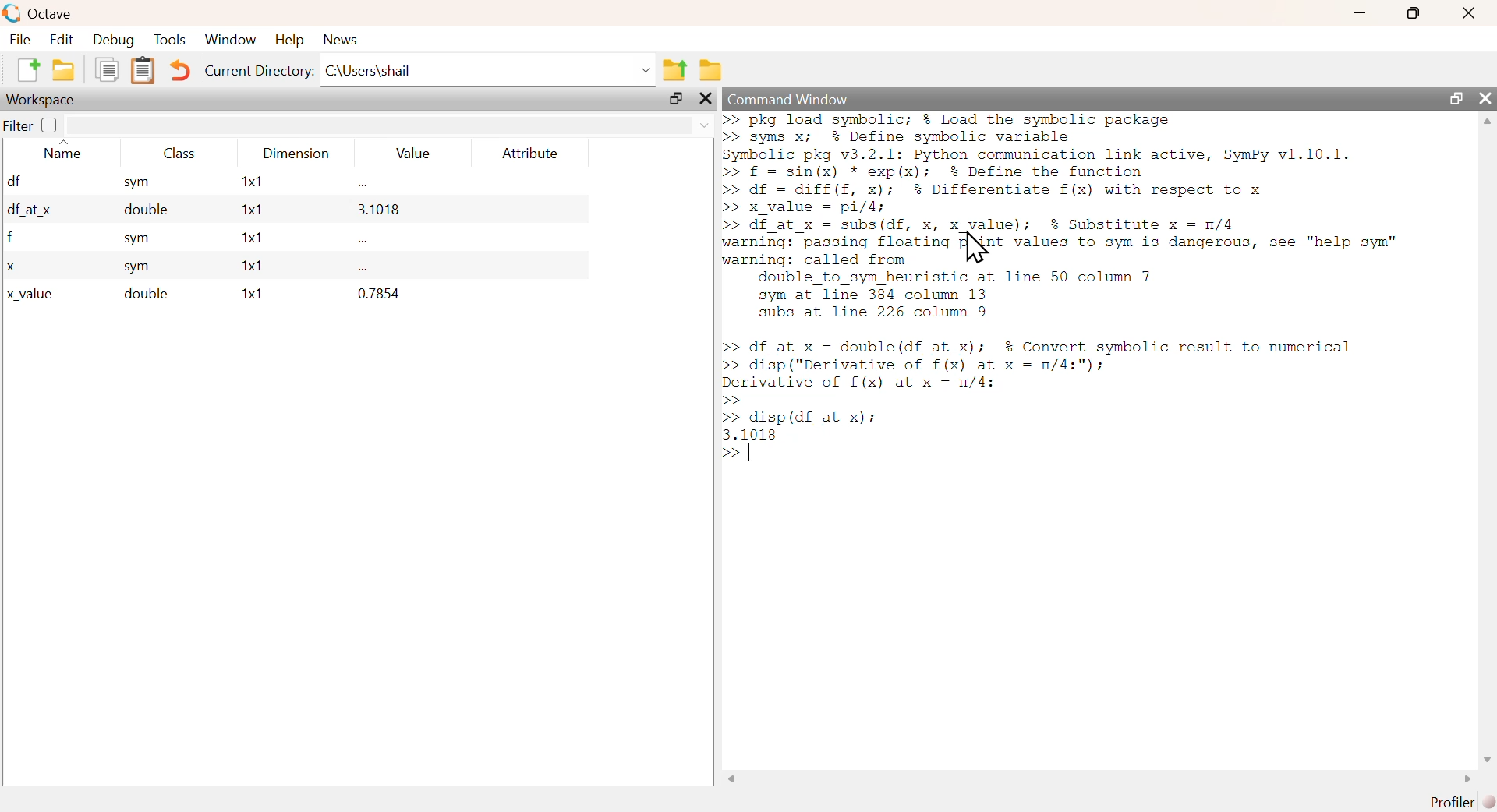 Image resolution: width=1497 pixels, height=812 pixels. I want to click on Undo, so click(180, 70).